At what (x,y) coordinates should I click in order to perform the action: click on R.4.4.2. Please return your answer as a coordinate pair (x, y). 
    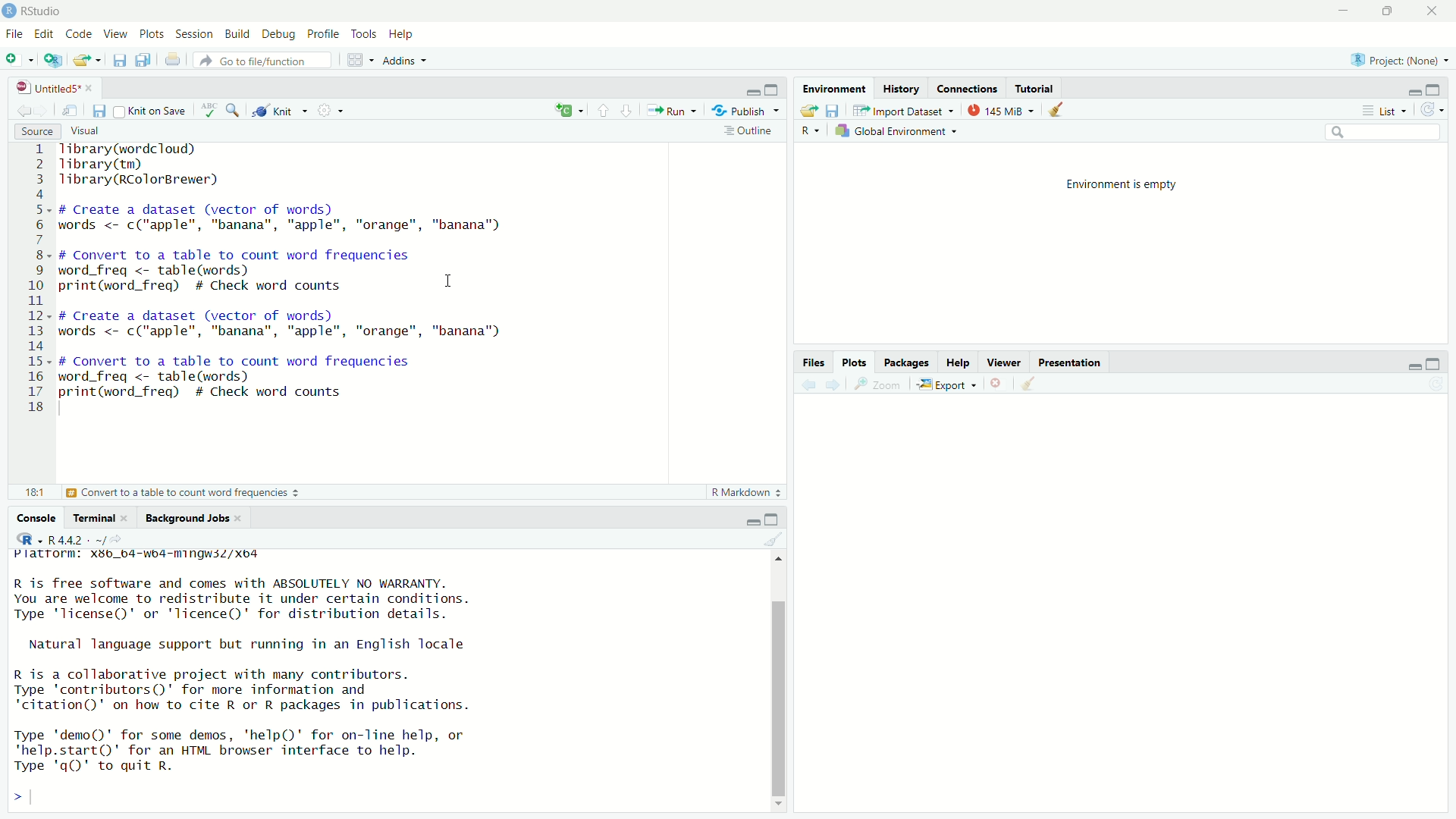
    Looking at the image, I should click on (62, 539).